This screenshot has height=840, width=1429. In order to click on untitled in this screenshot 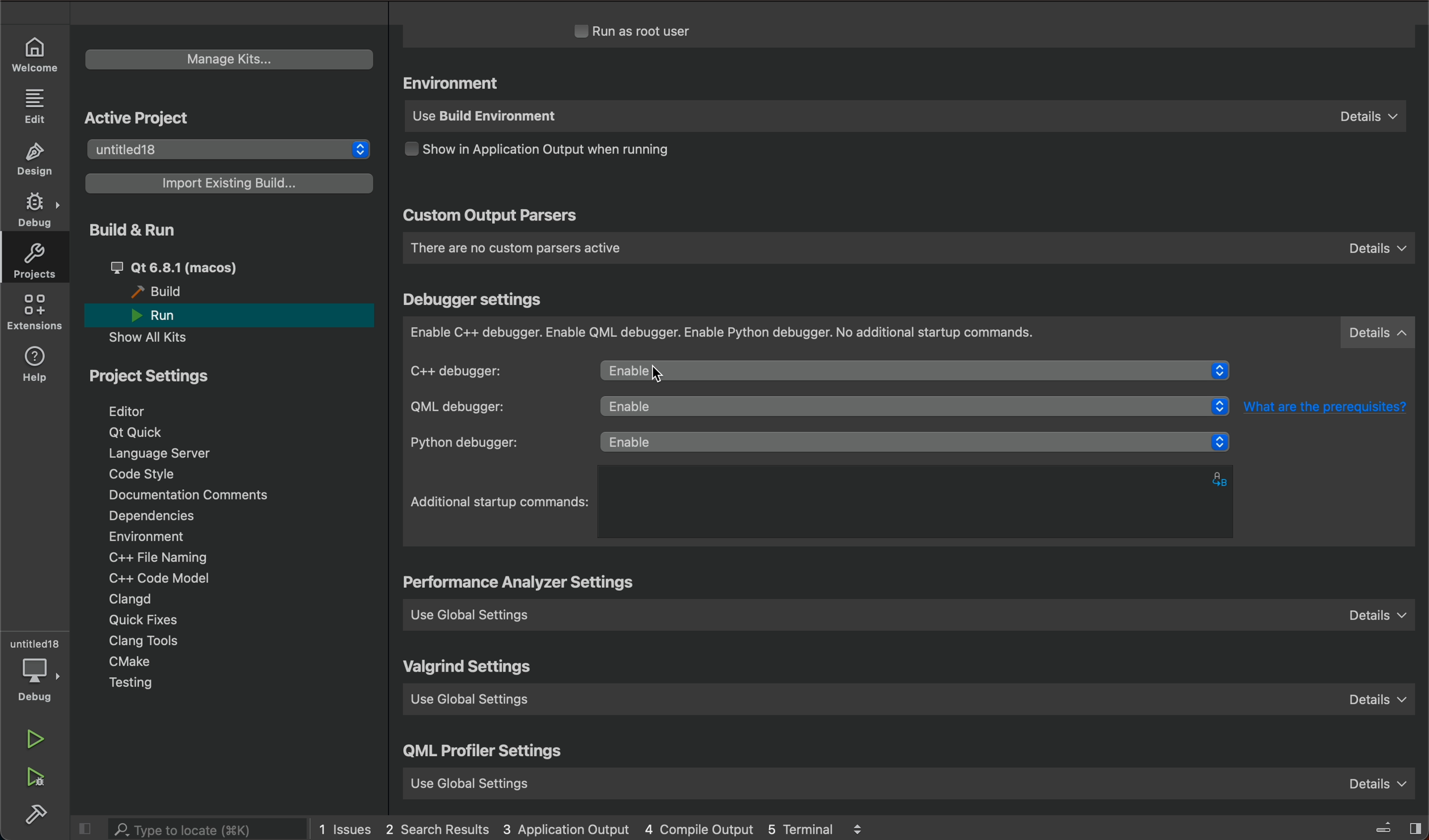, I will do `click(35, 644)`.